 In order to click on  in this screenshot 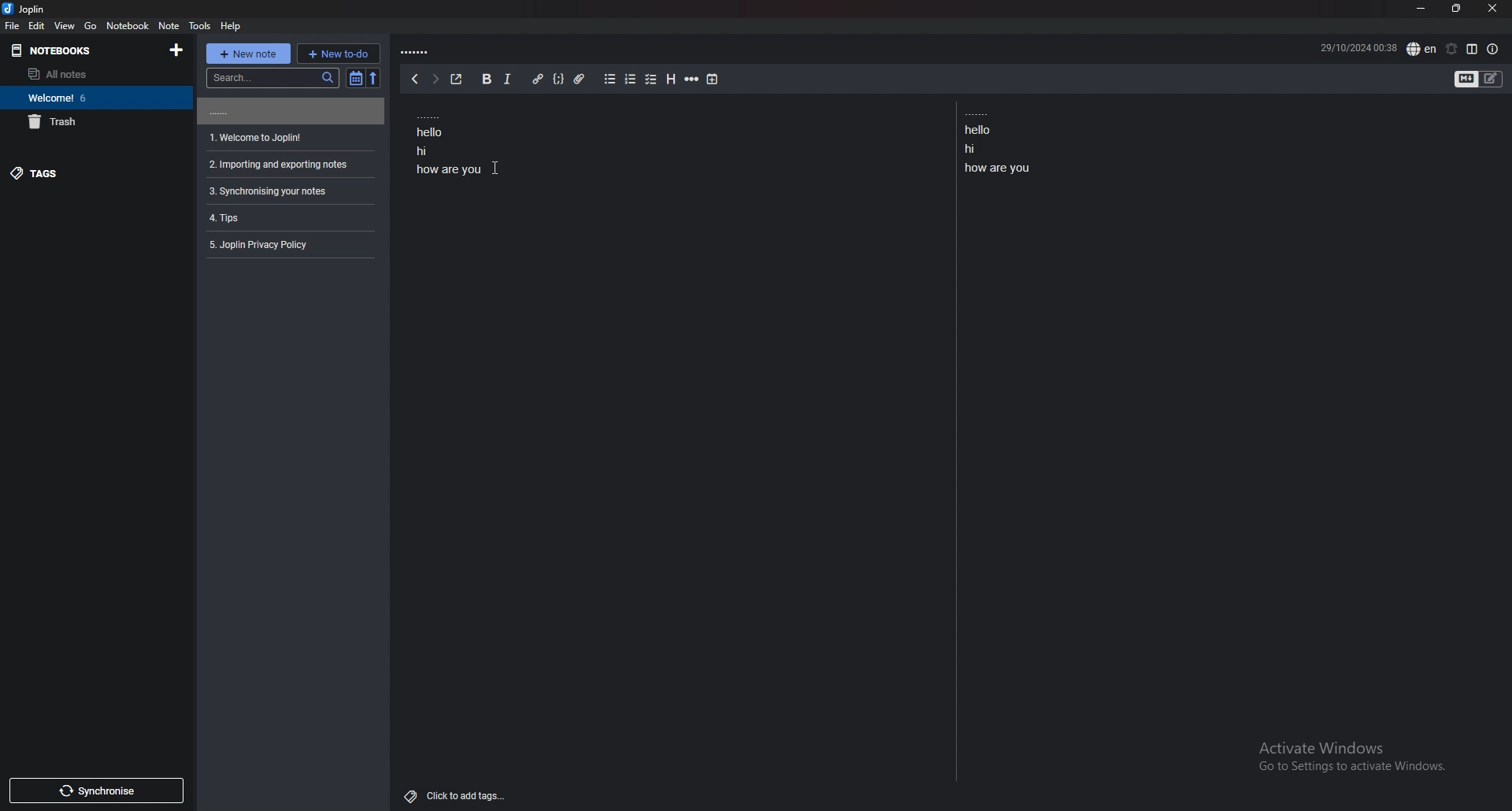, I will do `click(1345, 760)`.